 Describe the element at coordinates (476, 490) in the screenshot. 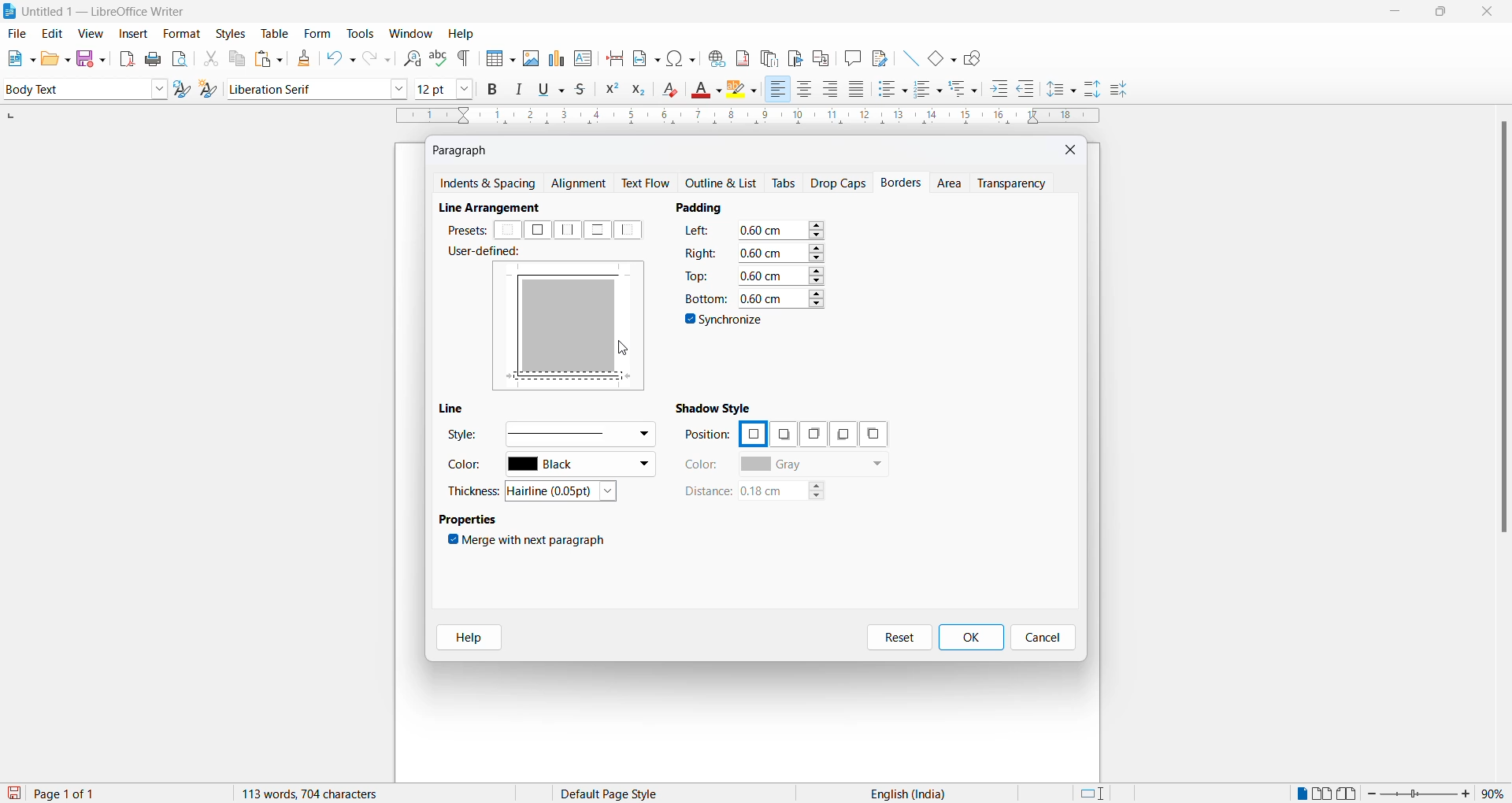

I see `thickness` at that location.